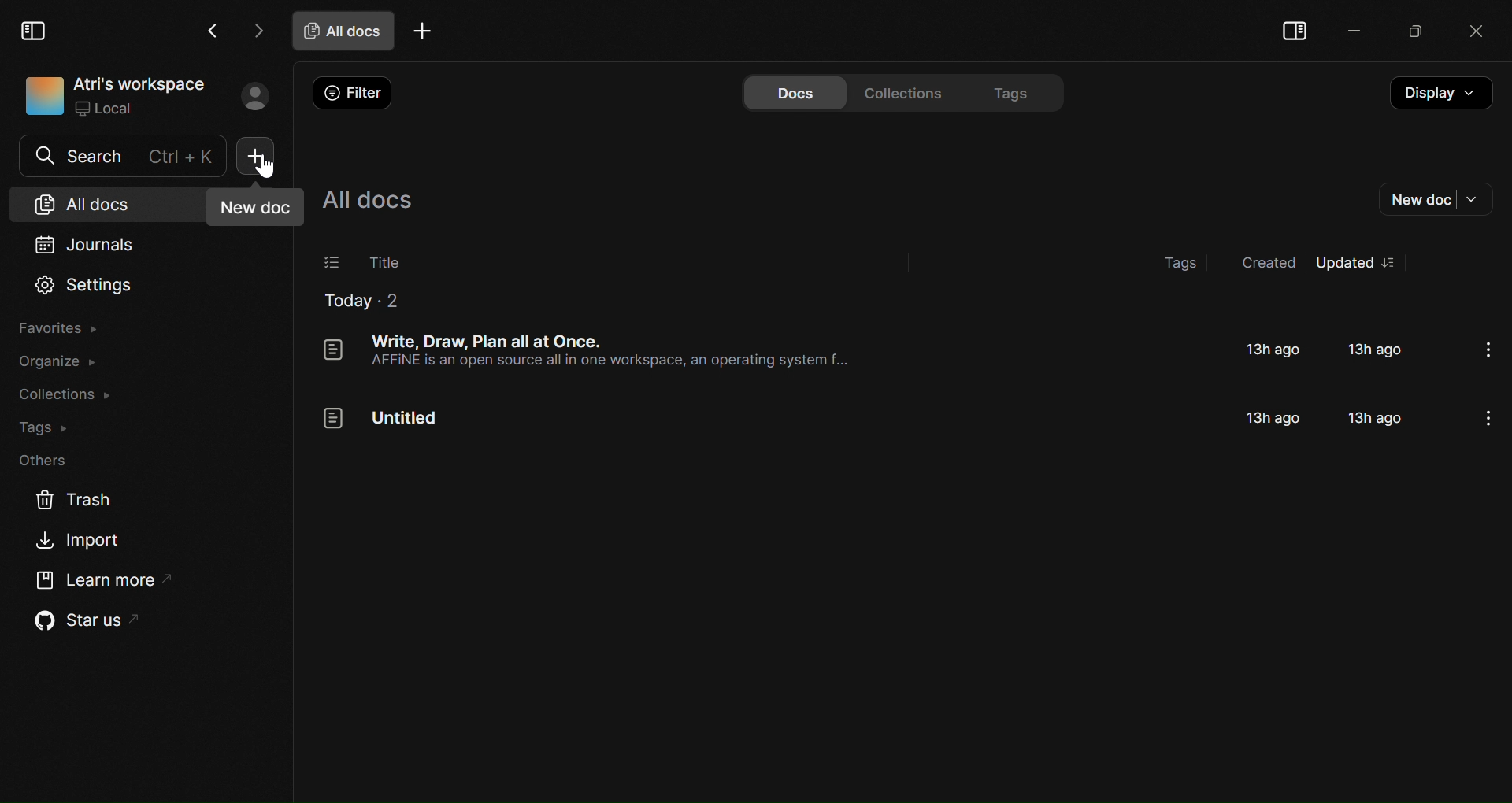  Describe the element at coordinates (83, 540) in the screenshot. I see `Import` at that location.